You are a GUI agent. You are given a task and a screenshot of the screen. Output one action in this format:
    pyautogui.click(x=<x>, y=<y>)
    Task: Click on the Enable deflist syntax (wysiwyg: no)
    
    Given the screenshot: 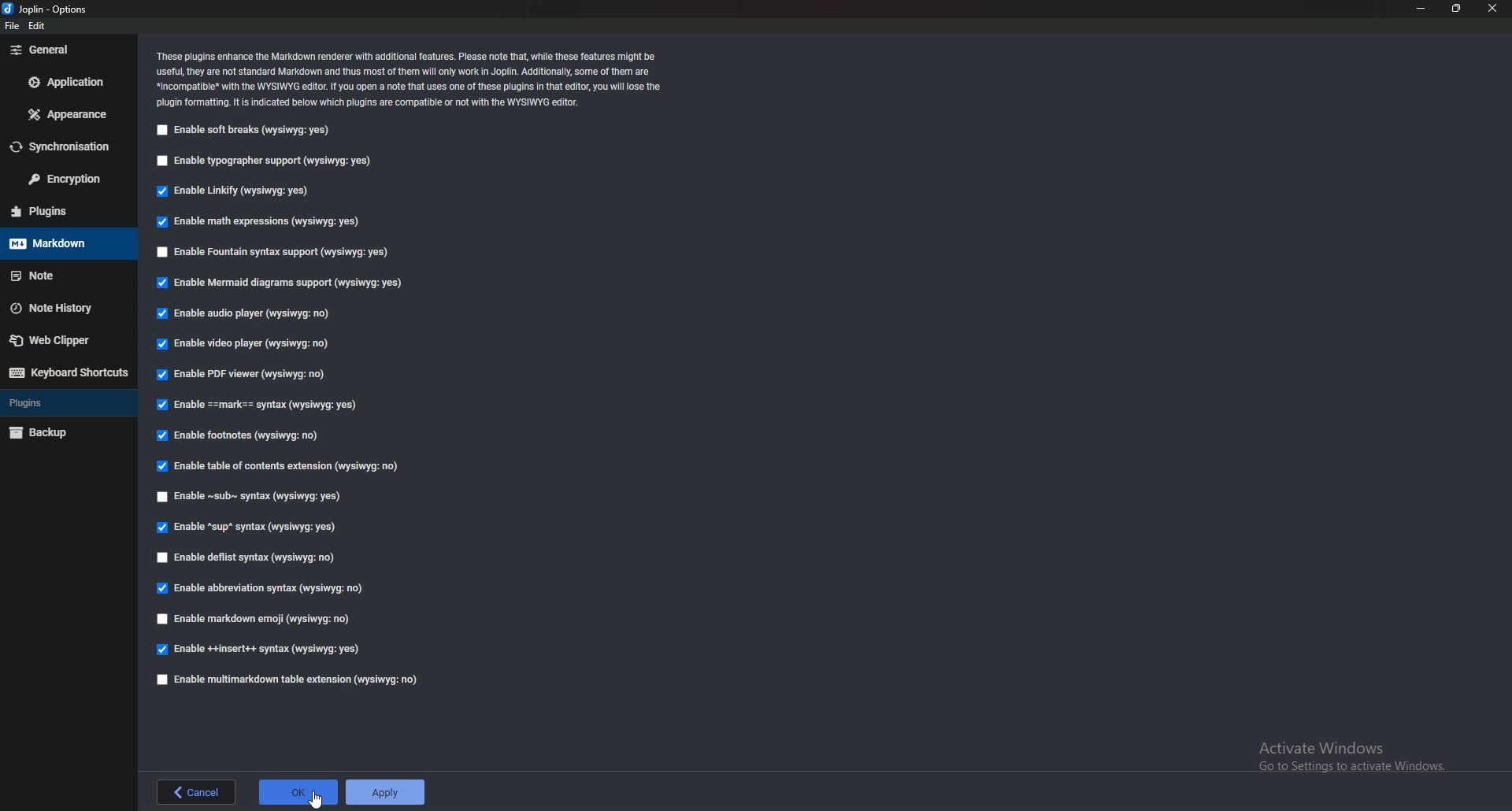 What is the action you would take?
    pyautogui.click(x=249, y=558)
    